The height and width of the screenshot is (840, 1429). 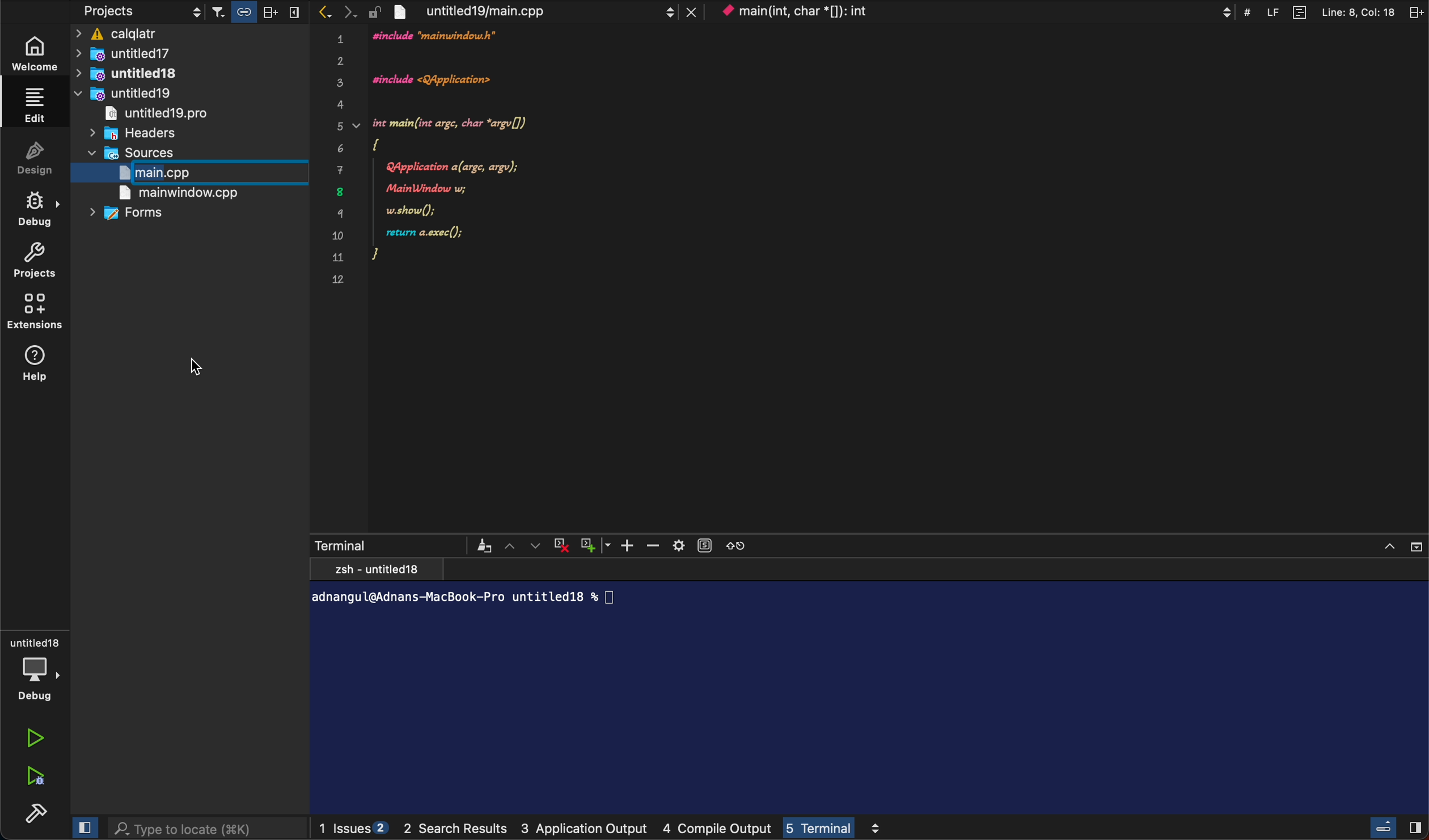 I want to click on Window controls, so click(x=1401, y=545).